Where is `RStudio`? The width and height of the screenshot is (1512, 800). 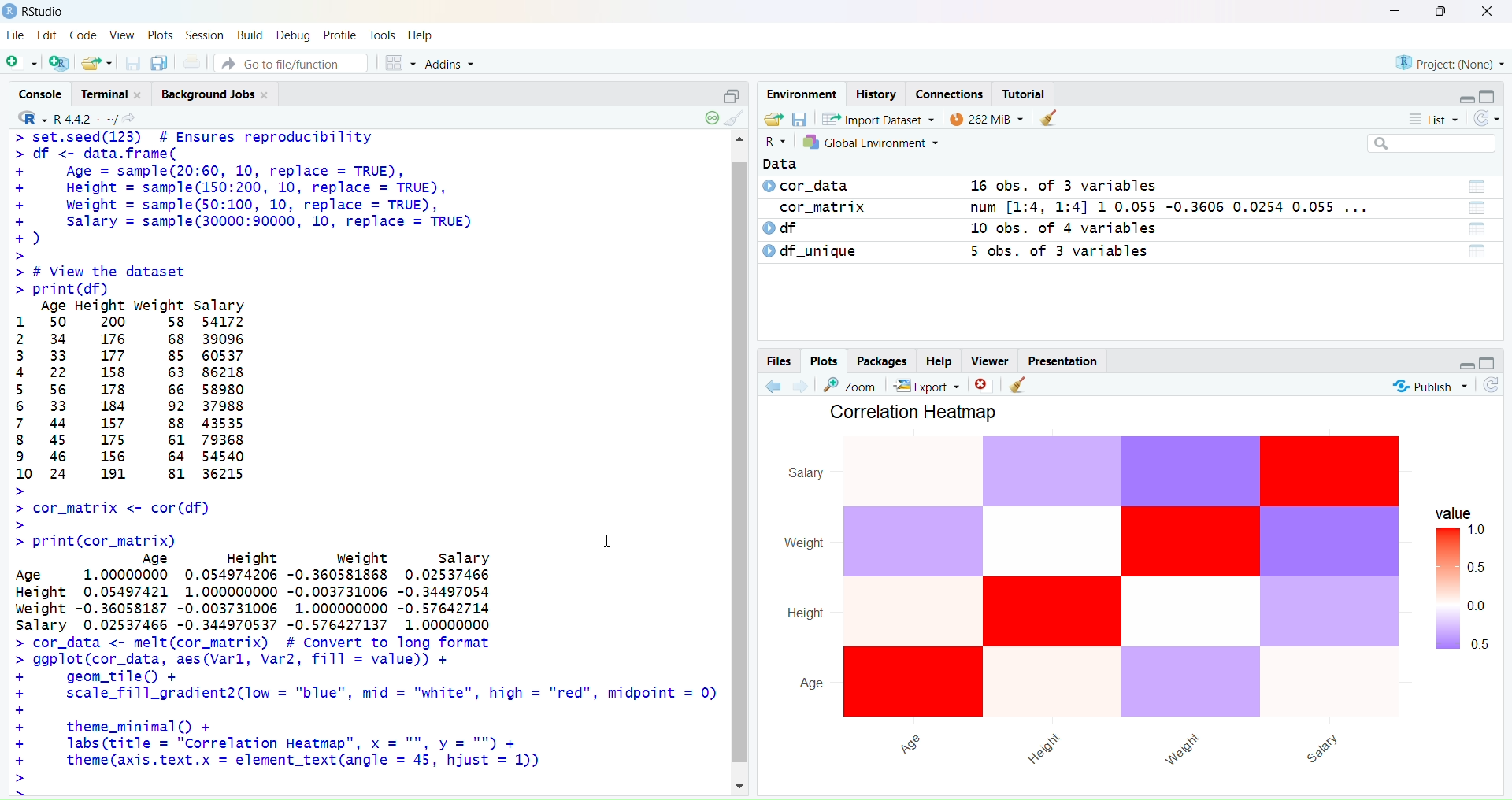 RStudio is located at coordinates (36, 12).